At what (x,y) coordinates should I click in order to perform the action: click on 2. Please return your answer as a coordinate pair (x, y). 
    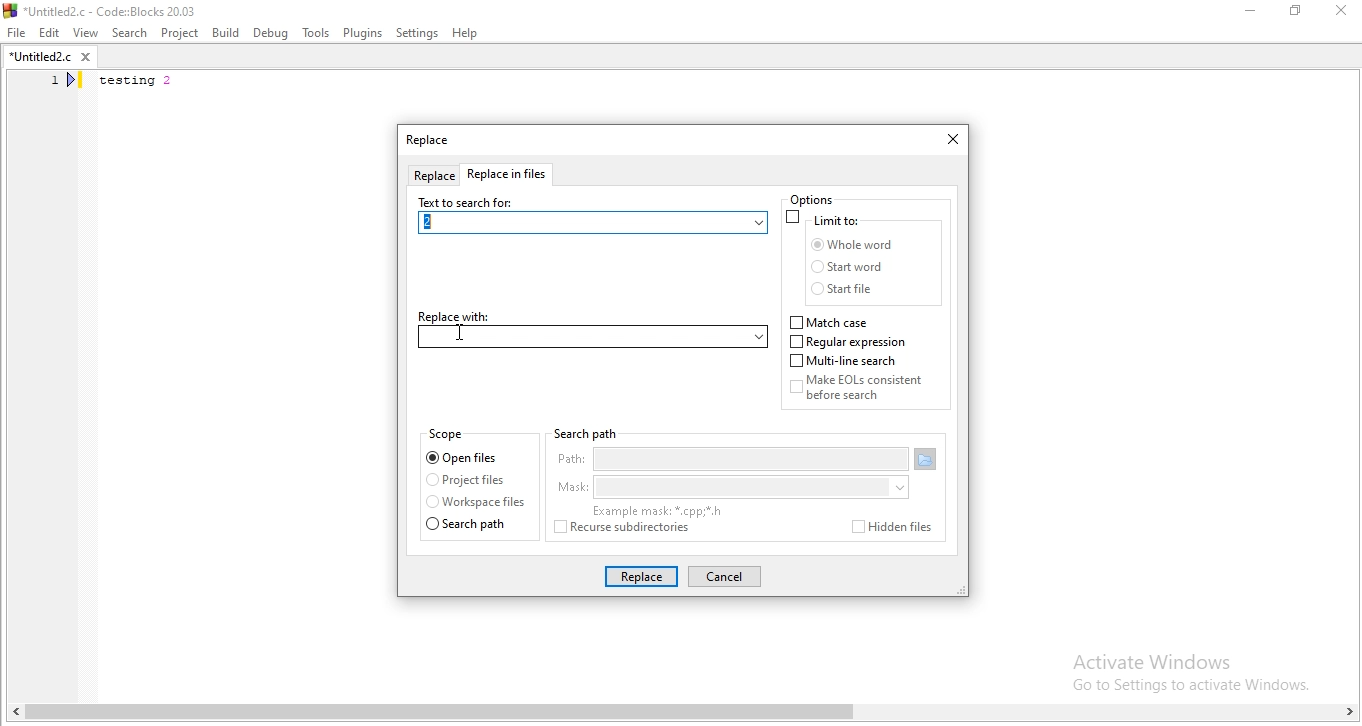
    Looking at the image, I should click on (430, 221).